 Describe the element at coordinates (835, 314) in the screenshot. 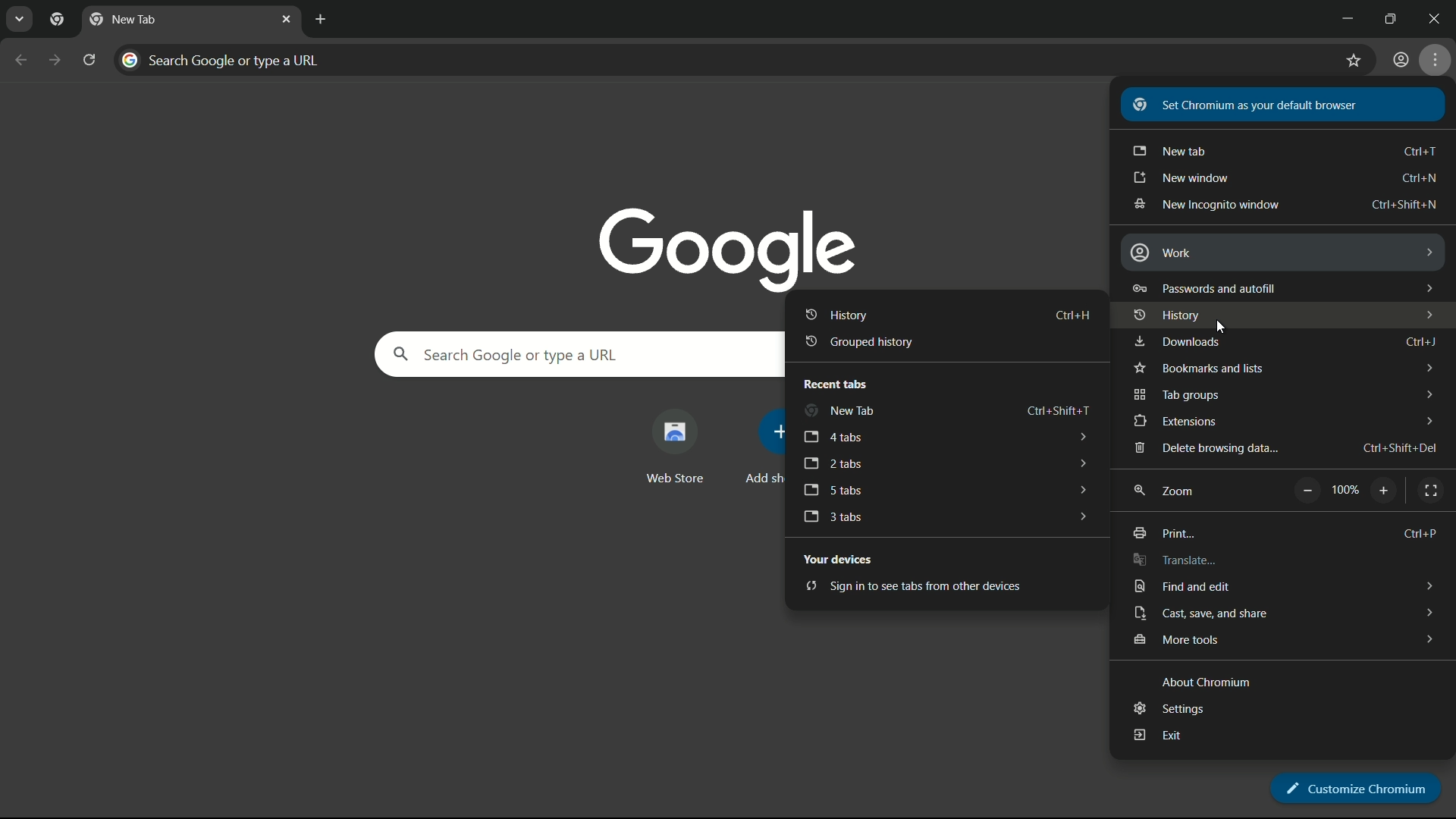

I see `history` at that location.